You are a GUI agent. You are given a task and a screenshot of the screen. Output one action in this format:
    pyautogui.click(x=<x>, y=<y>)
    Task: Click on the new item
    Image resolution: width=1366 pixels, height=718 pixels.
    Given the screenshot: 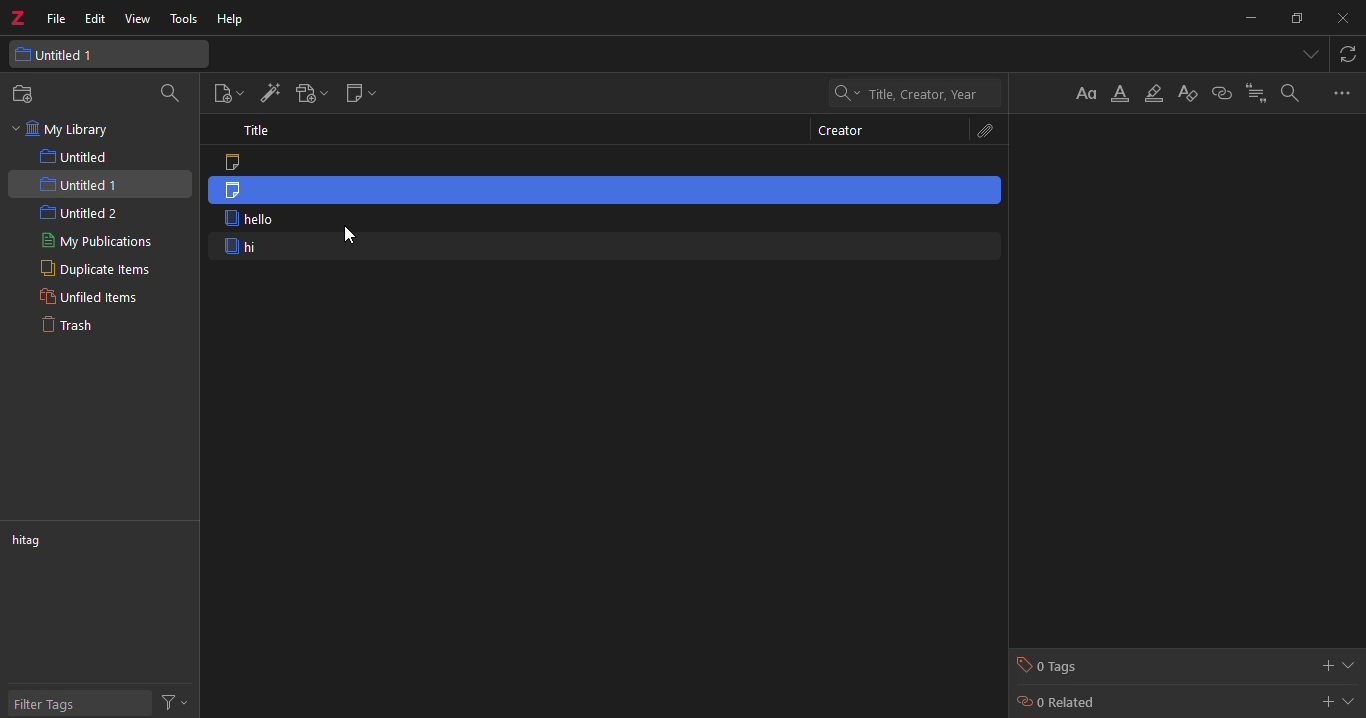 What is the action you would take?
    pyautogui.click(x=230, y=94)
    